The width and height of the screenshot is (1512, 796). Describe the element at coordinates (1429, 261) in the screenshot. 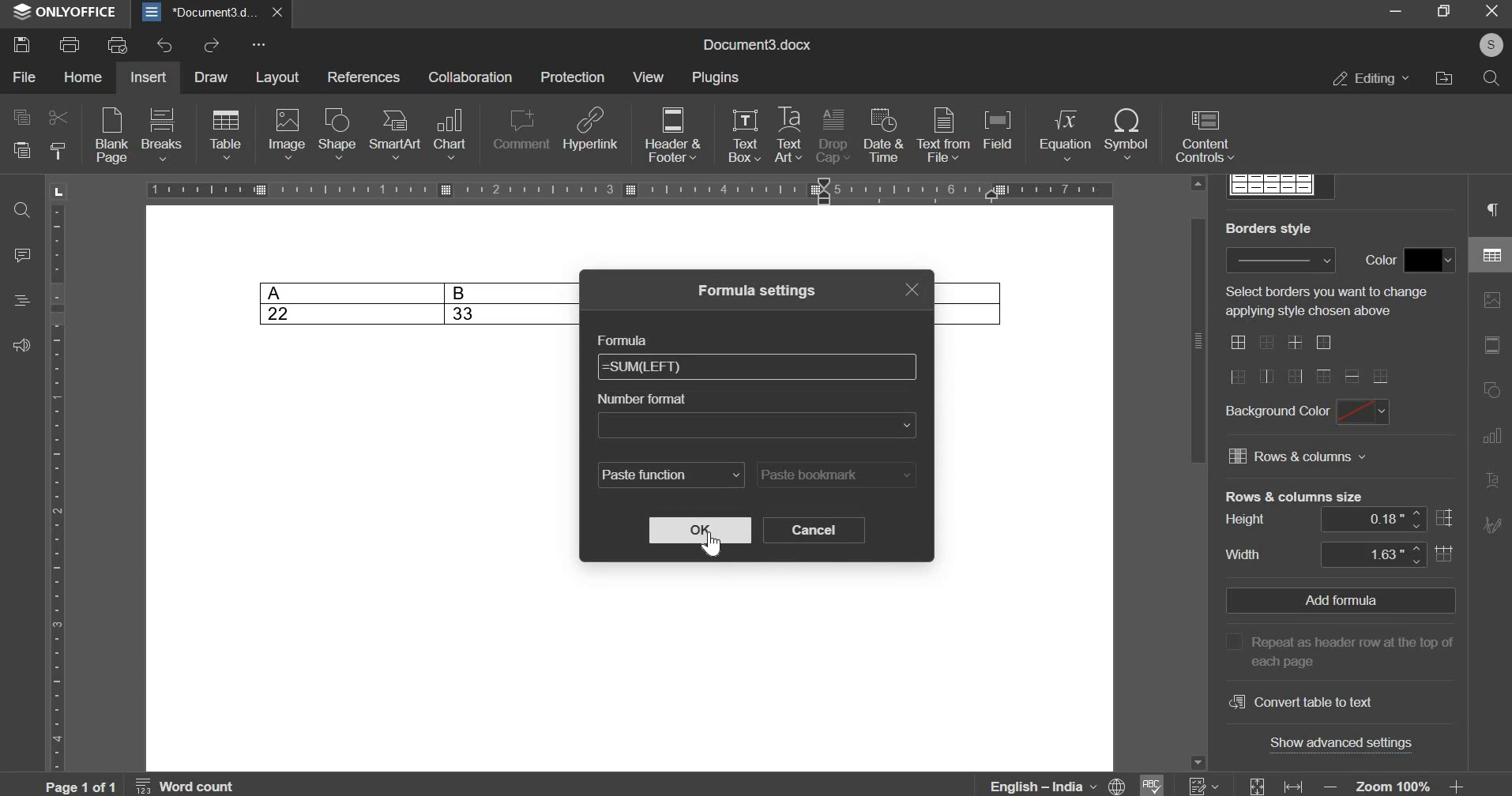

I see `border color` at that location.